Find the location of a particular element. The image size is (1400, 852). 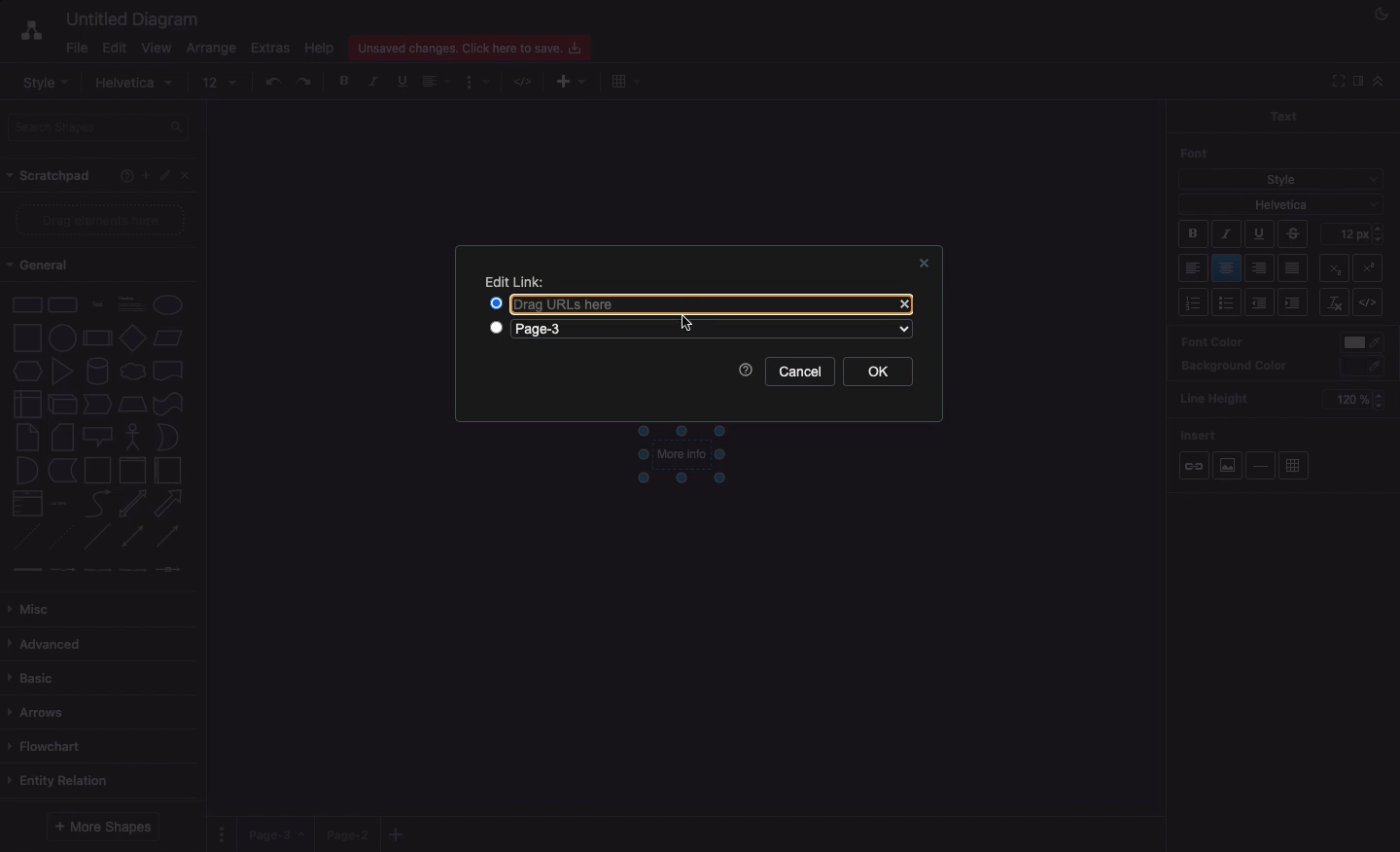

Subscript is located at coordinates (1373, 265).